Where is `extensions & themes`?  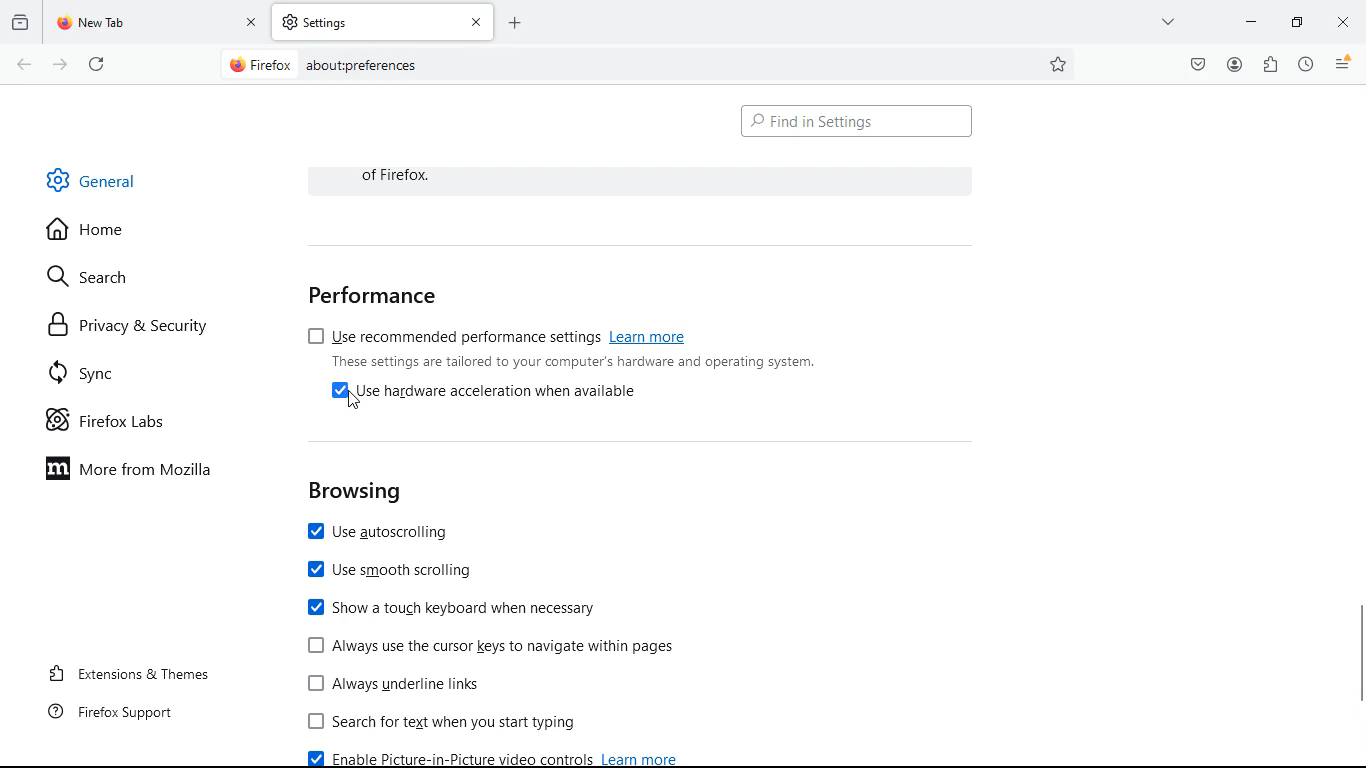
extensions & themes is located at coordinates (125, 674).